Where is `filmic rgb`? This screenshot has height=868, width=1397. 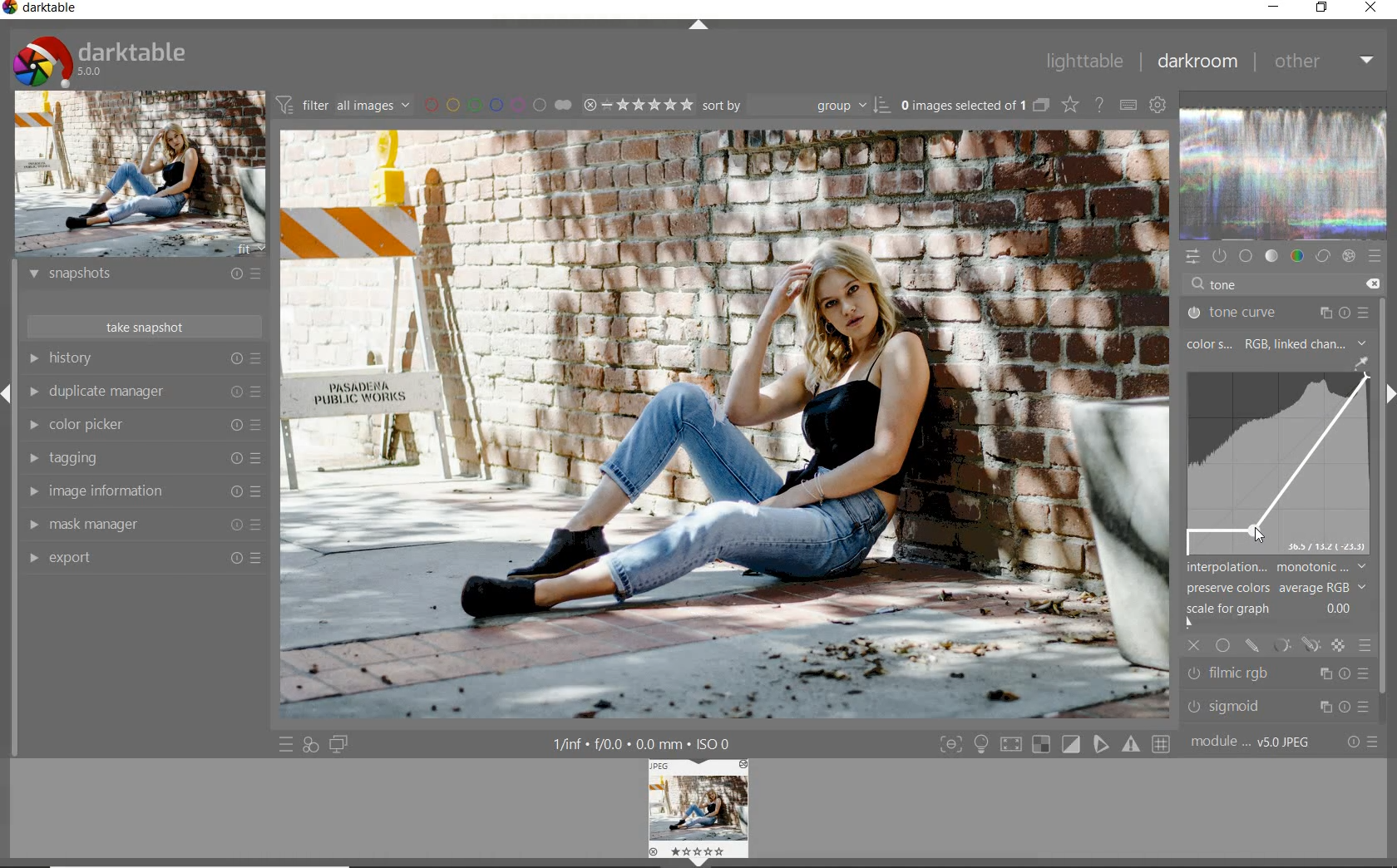
filmic rgb is located at coordinates (1278, 674).